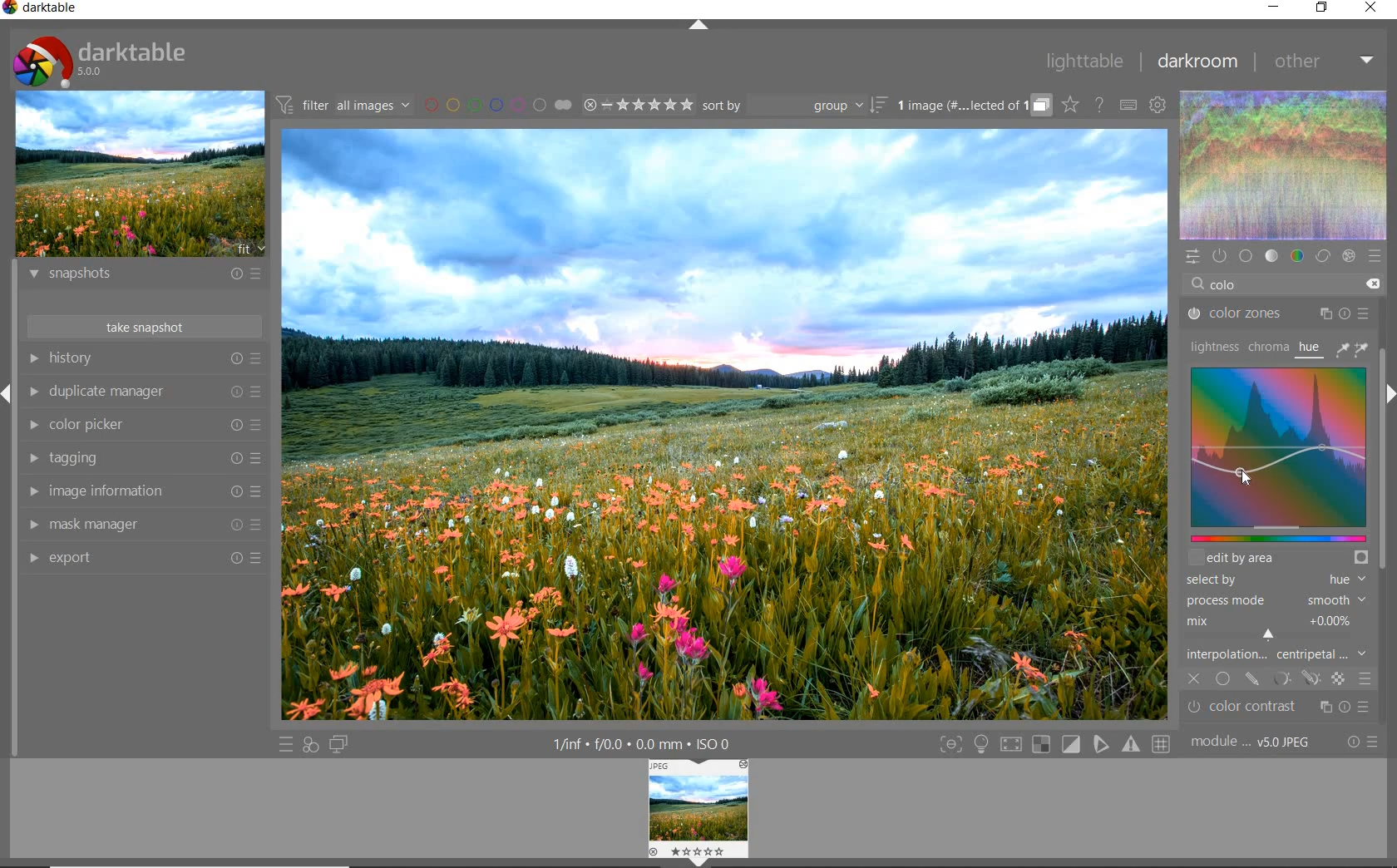 Image resolution: width=1397 pixels, height=868 pixels. What do you see at coordinates (1311, 350) in the screenshot?
I see `hue` at bounding box center [1311, 350].